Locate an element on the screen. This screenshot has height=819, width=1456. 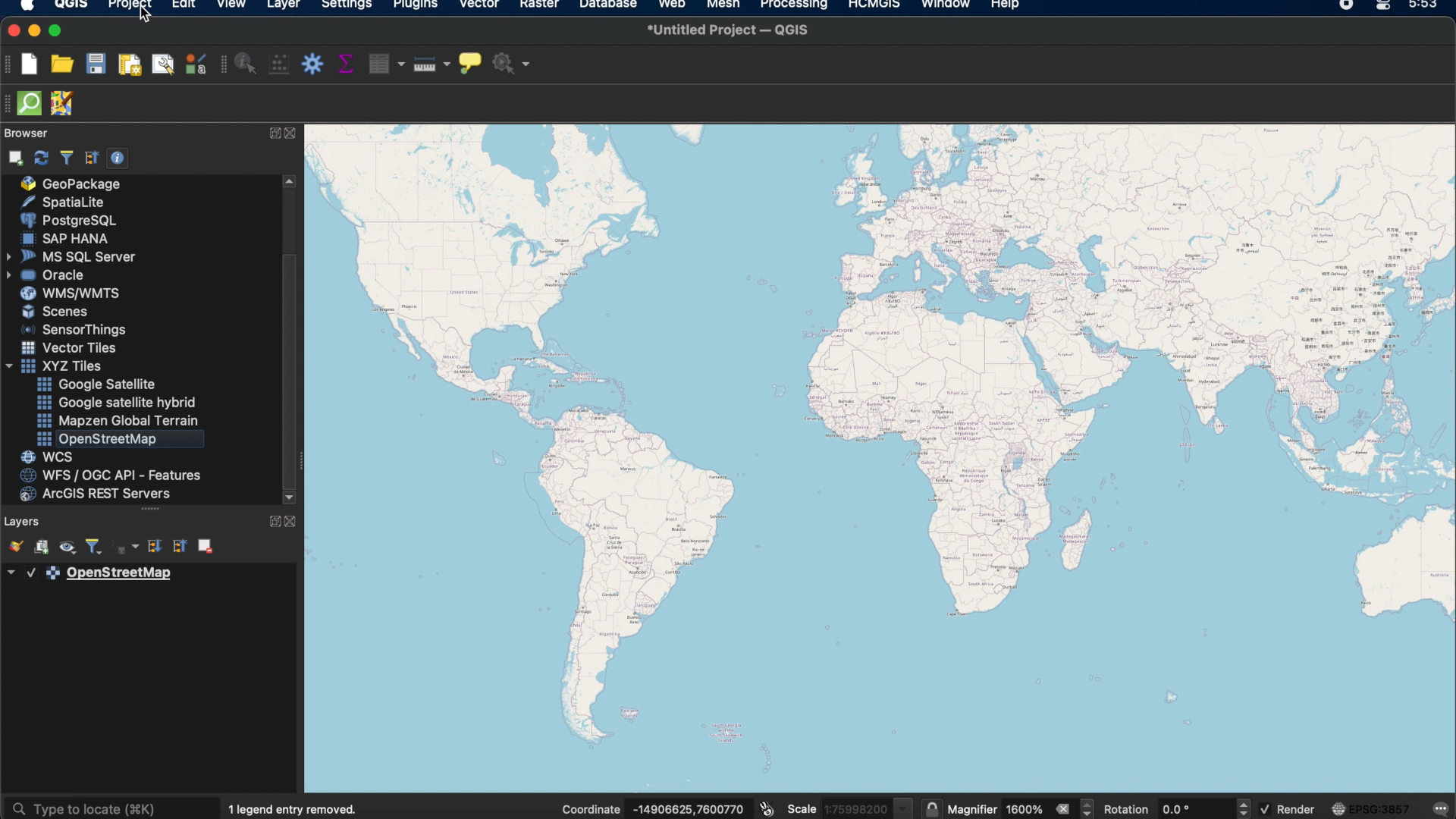
remove layer group is located at coordinates (207, 545).